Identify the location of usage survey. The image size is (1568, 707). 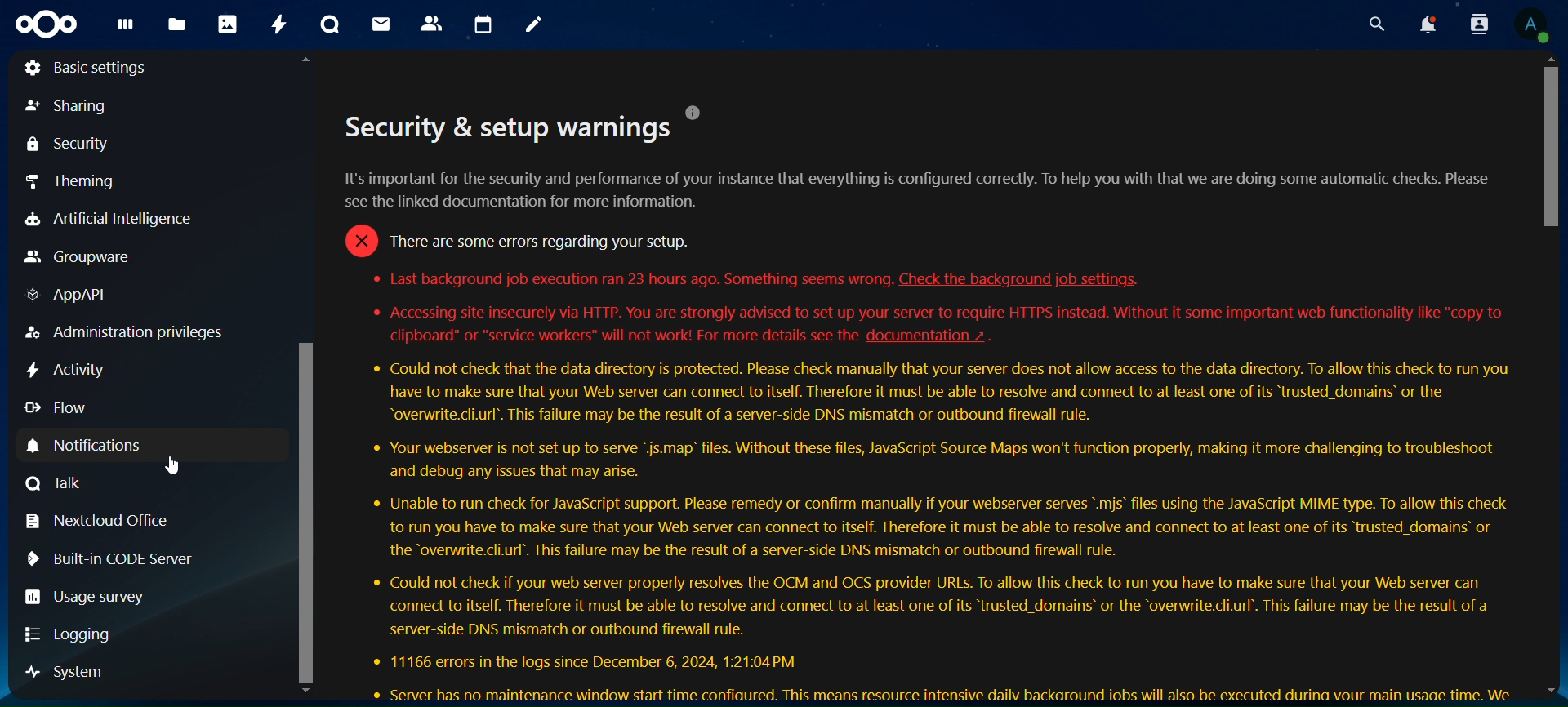
(88, 598).